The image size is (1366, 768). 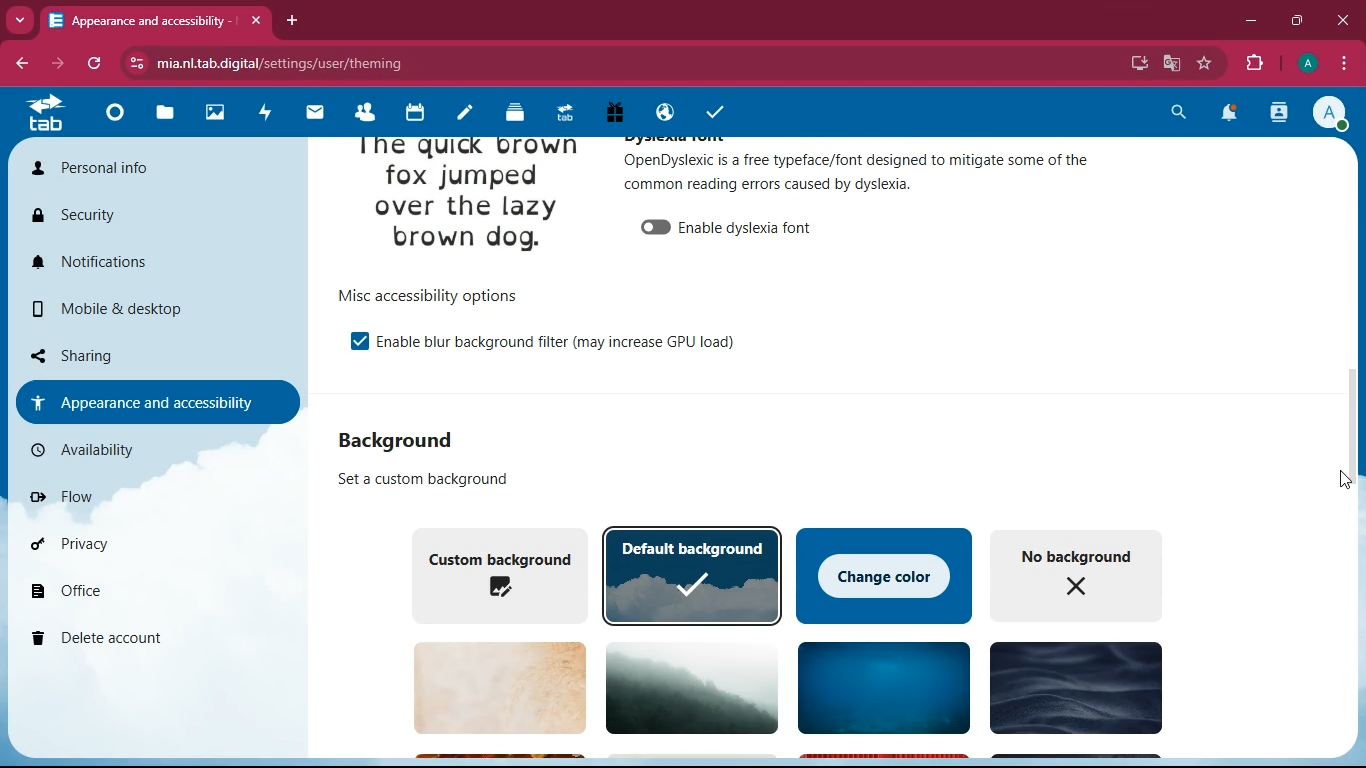 What do you see at coordinates (412, 115) in the screenshot?
I see `calendar` at bounding box center [412, 115].